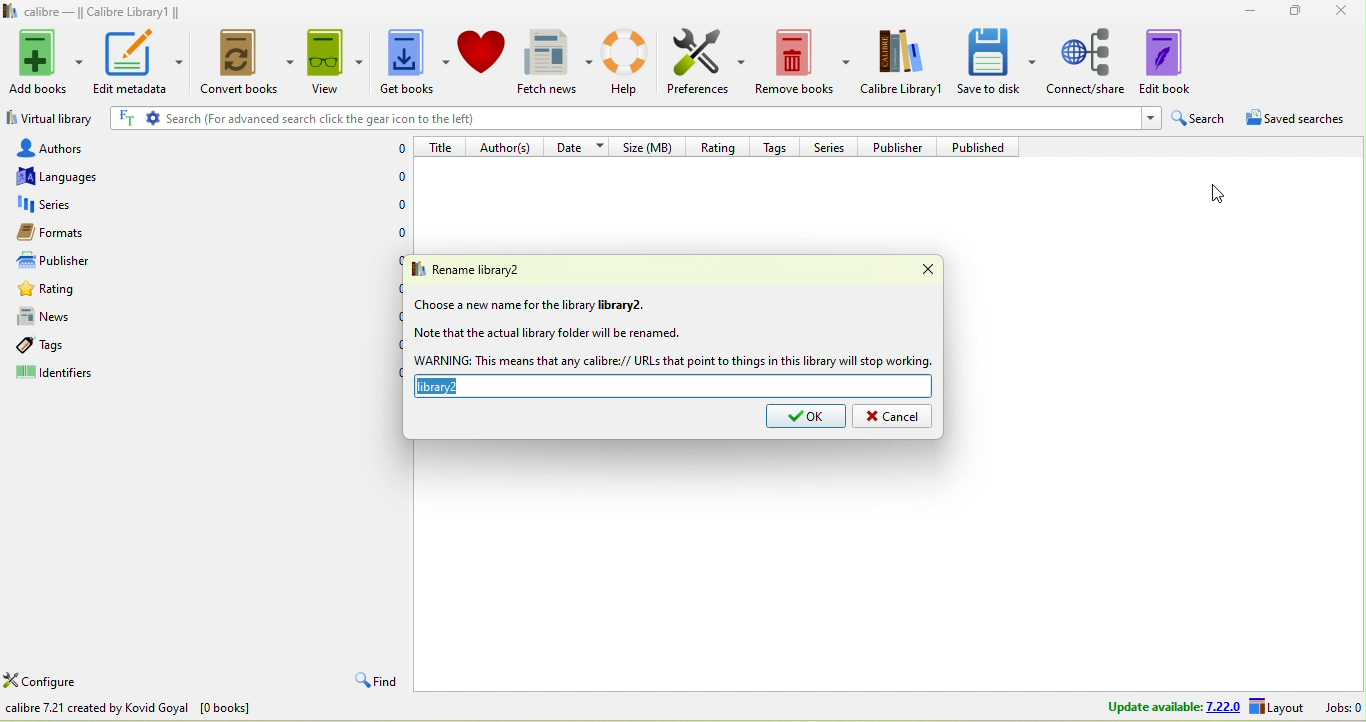  Describe the element at coordinates (1243, 9) in the screenshot. I see `minimize` at that location.